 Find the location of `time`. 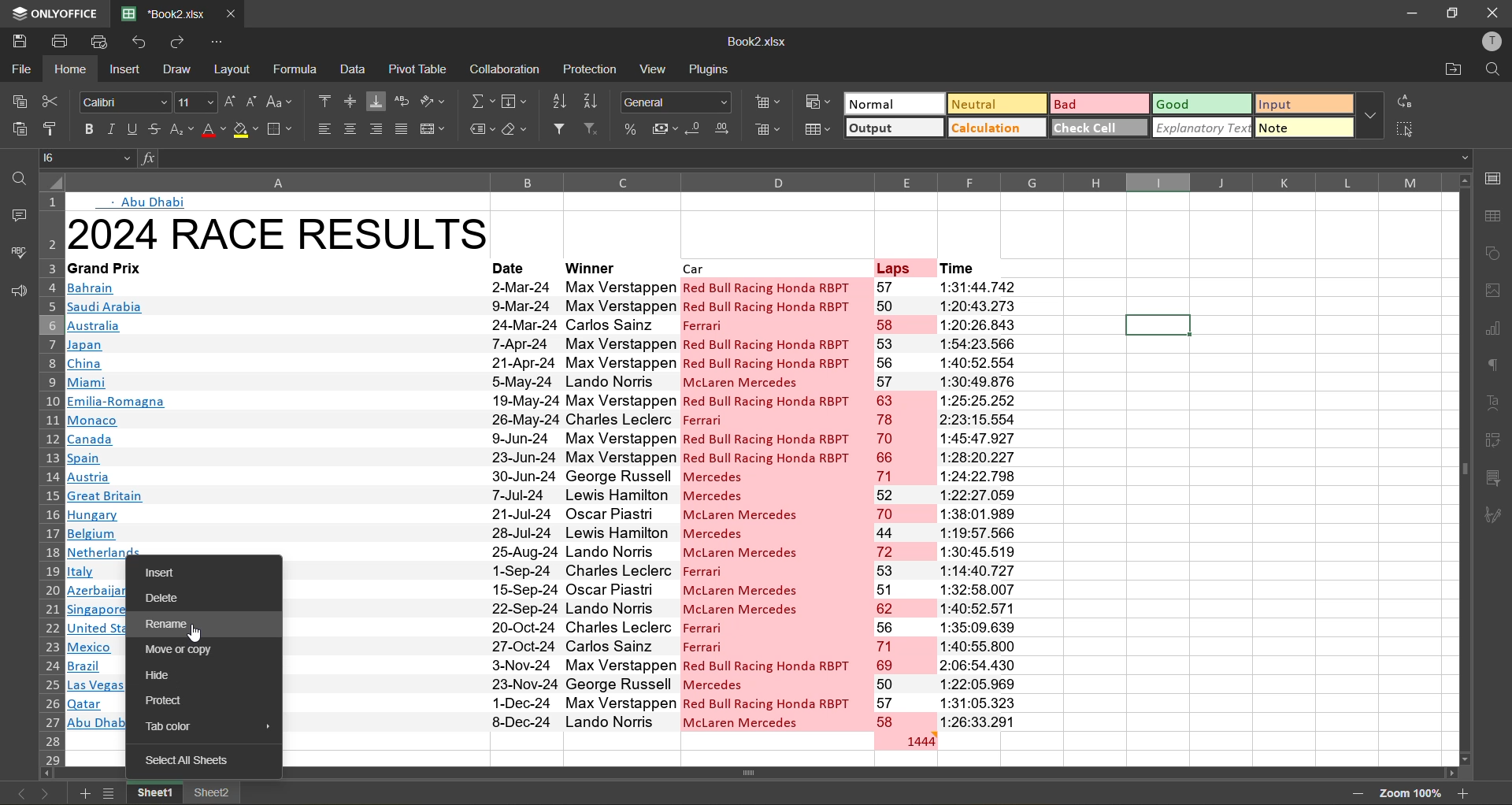

time is located at coordinates (973, 265).